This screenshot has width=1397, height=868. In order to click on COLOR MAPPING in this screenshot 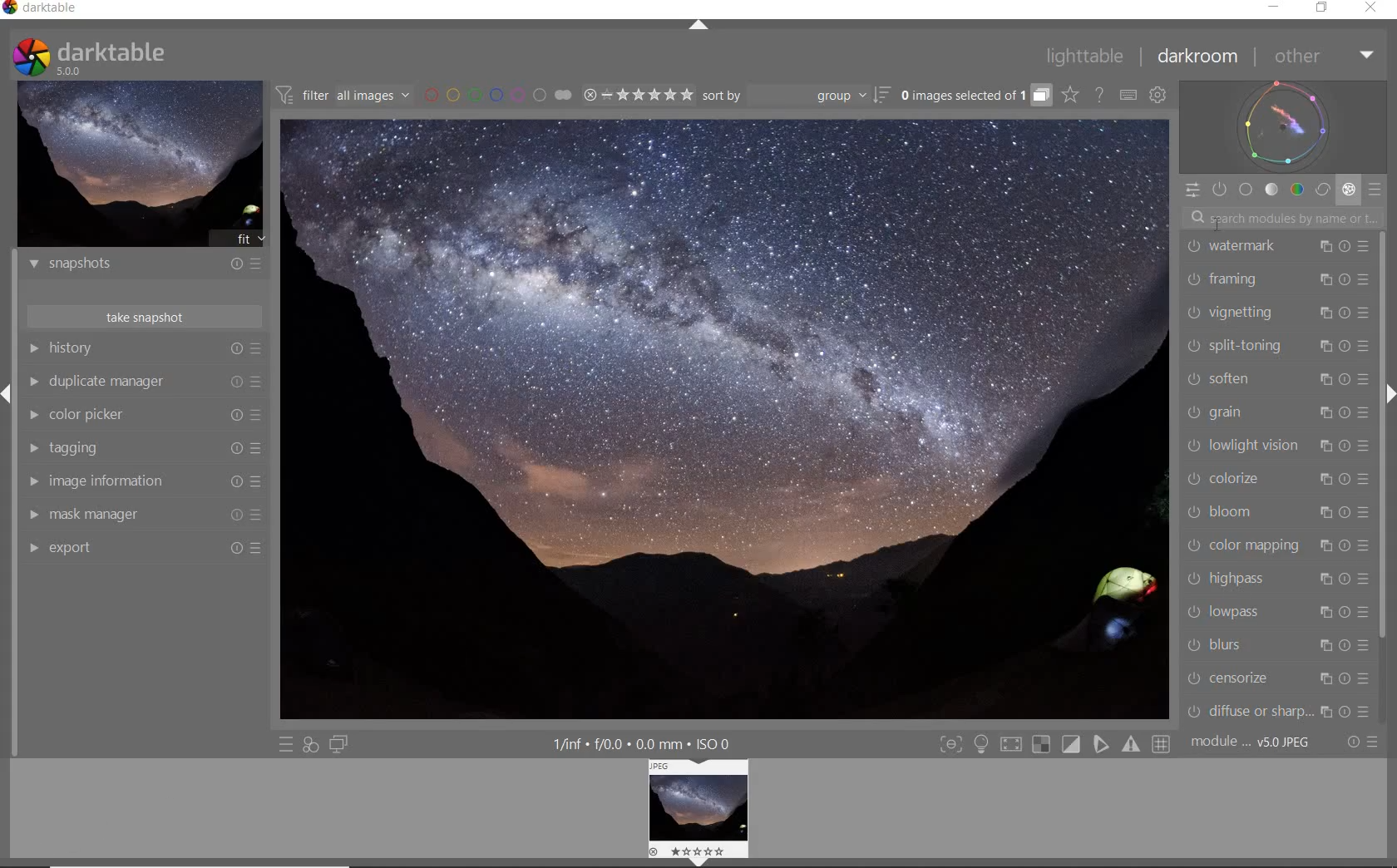, I will do `click(1242, 547)`.